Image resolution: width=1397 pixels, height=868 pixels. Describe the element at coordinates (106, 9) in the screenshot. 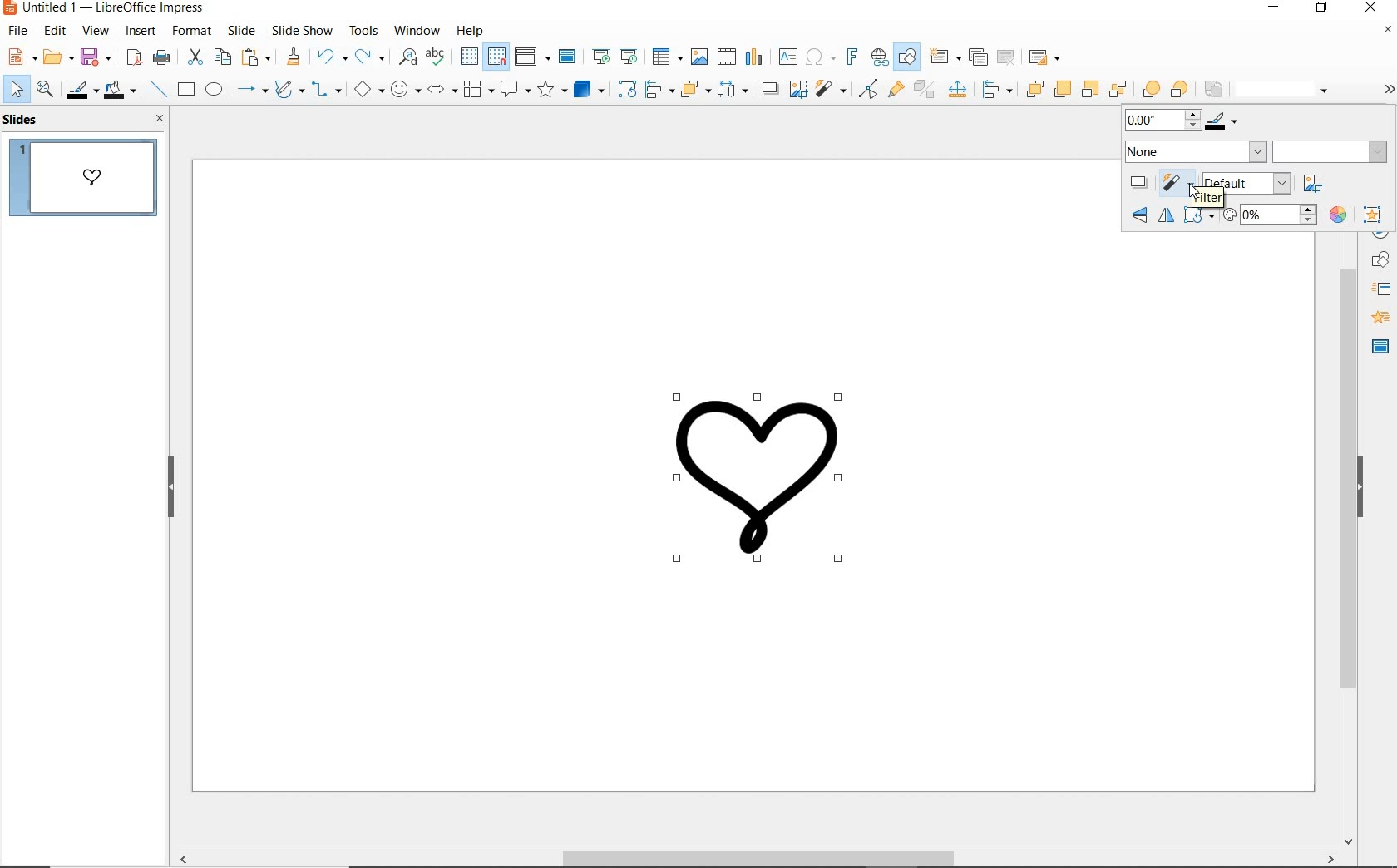

I see `Untitled 1 - LibreOffice Impress` at that location.